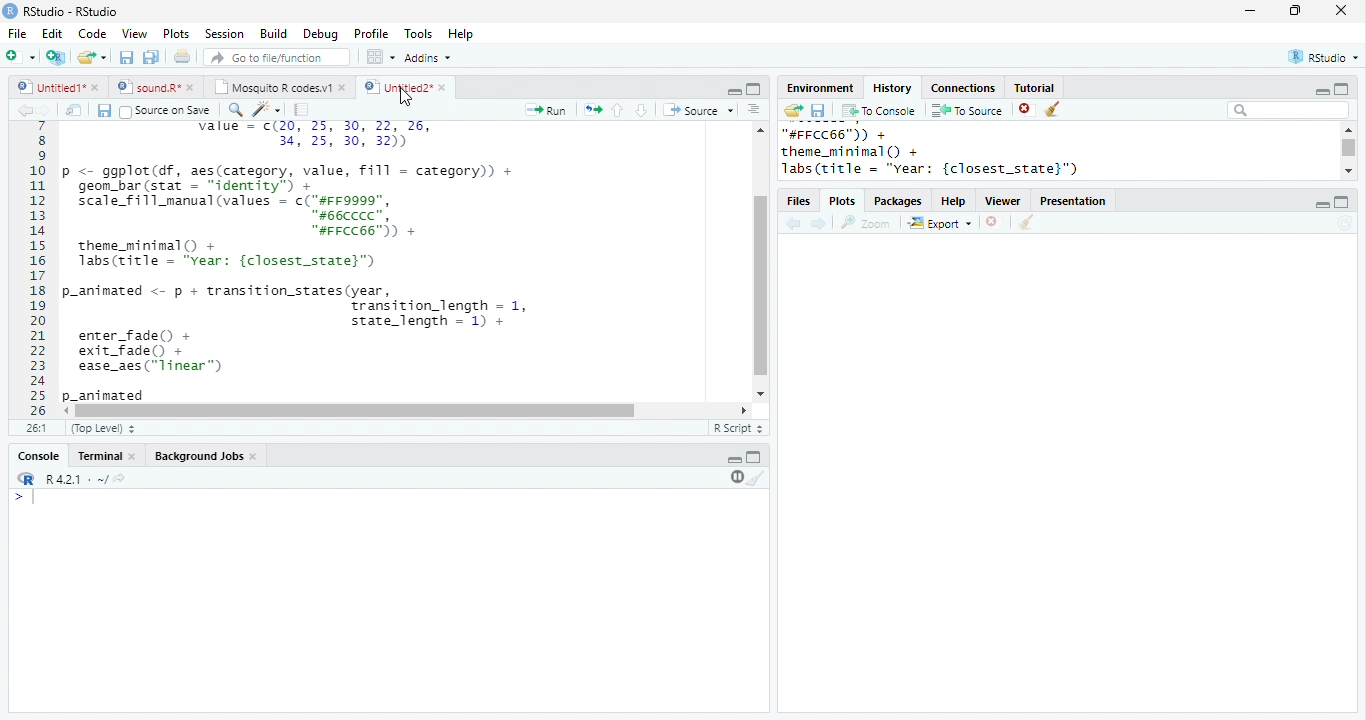 This screenshot has width=1366, height=720. Describe the element at coordinates (19, 34) in the screenshot. I see `File` at that location.